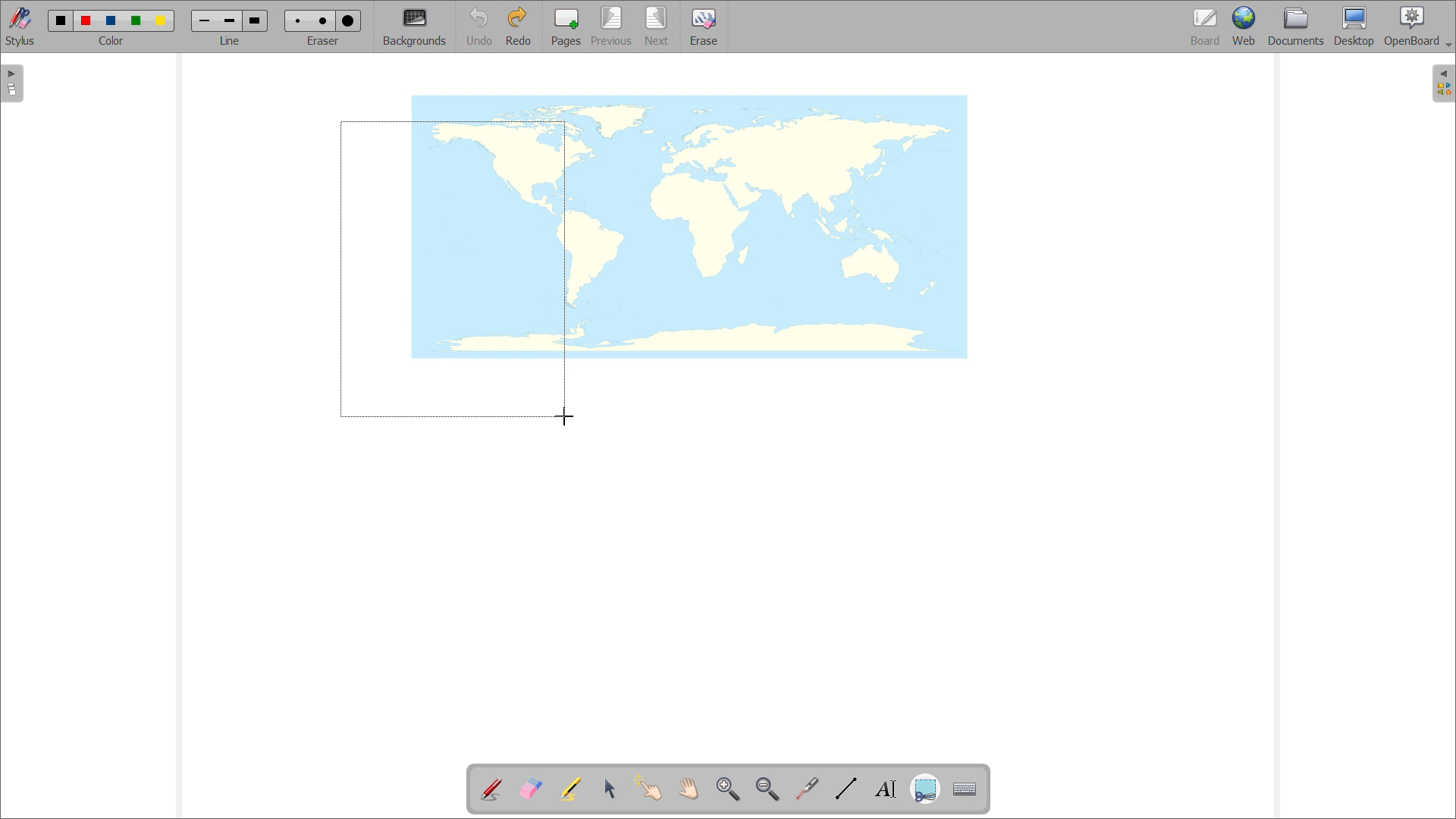 The height and width of the screenshot is (819, 1456). I want to click on web, so click(1245, 27).